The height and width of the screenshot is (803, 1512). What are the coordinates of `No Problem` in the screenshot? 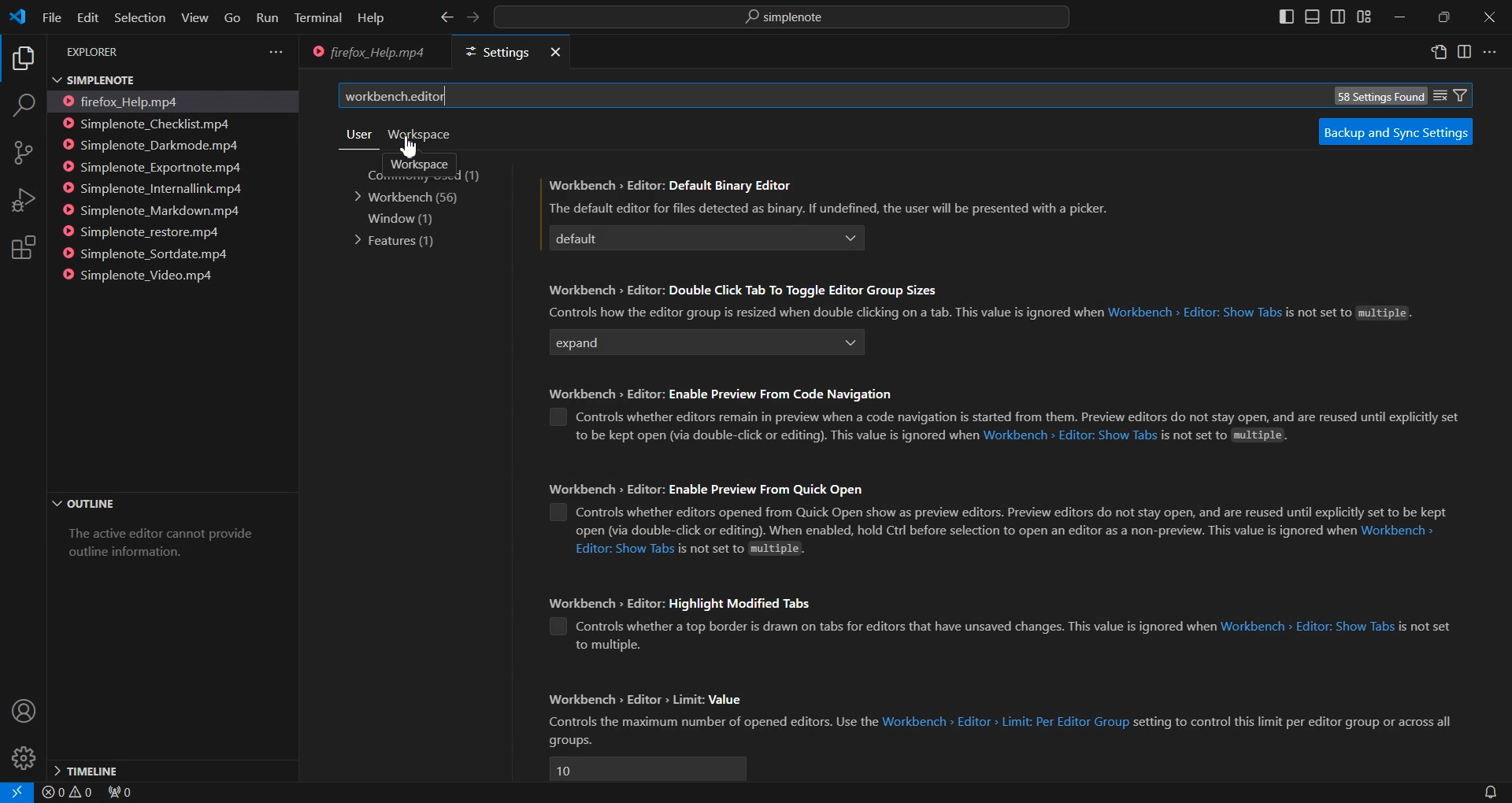 It's located at (66, 793).